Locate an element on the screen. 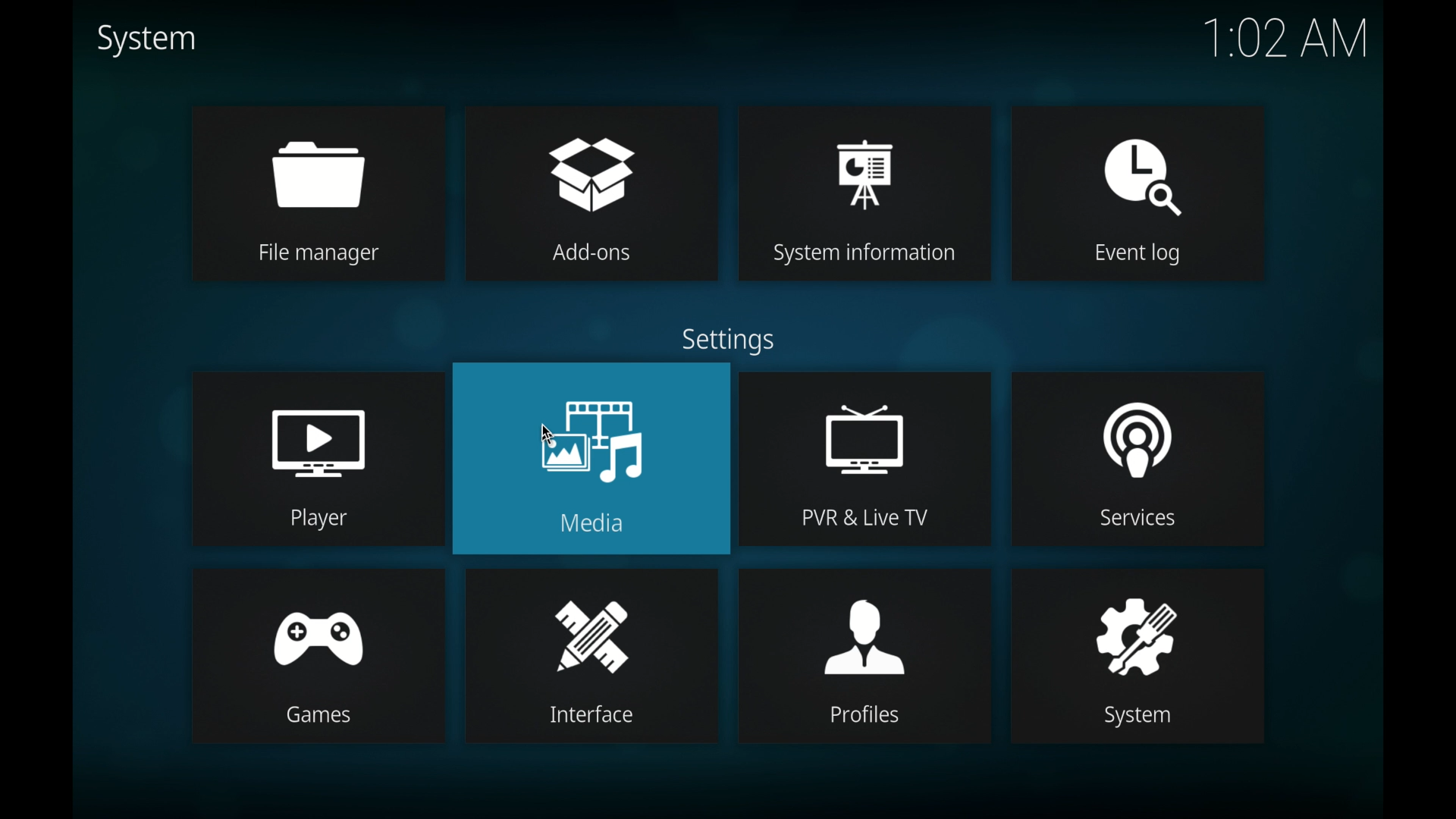 The height and width of the screenshot is (819, 1456). Add-ons is located at coordinates (601, 254).